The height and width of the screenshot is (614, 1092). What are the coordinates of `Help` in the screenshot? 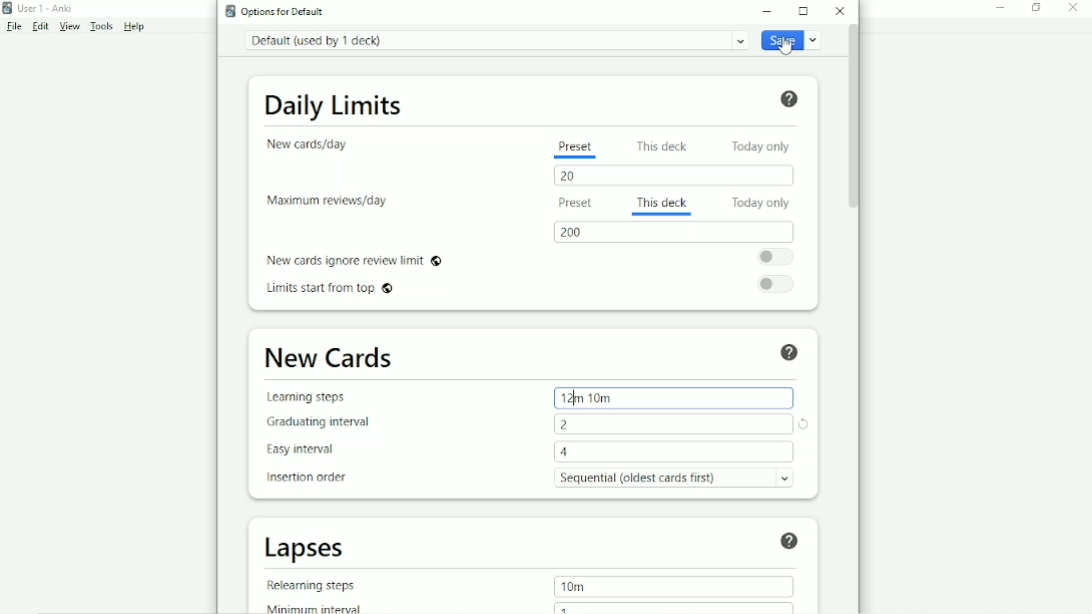 It's located at (792, 353).